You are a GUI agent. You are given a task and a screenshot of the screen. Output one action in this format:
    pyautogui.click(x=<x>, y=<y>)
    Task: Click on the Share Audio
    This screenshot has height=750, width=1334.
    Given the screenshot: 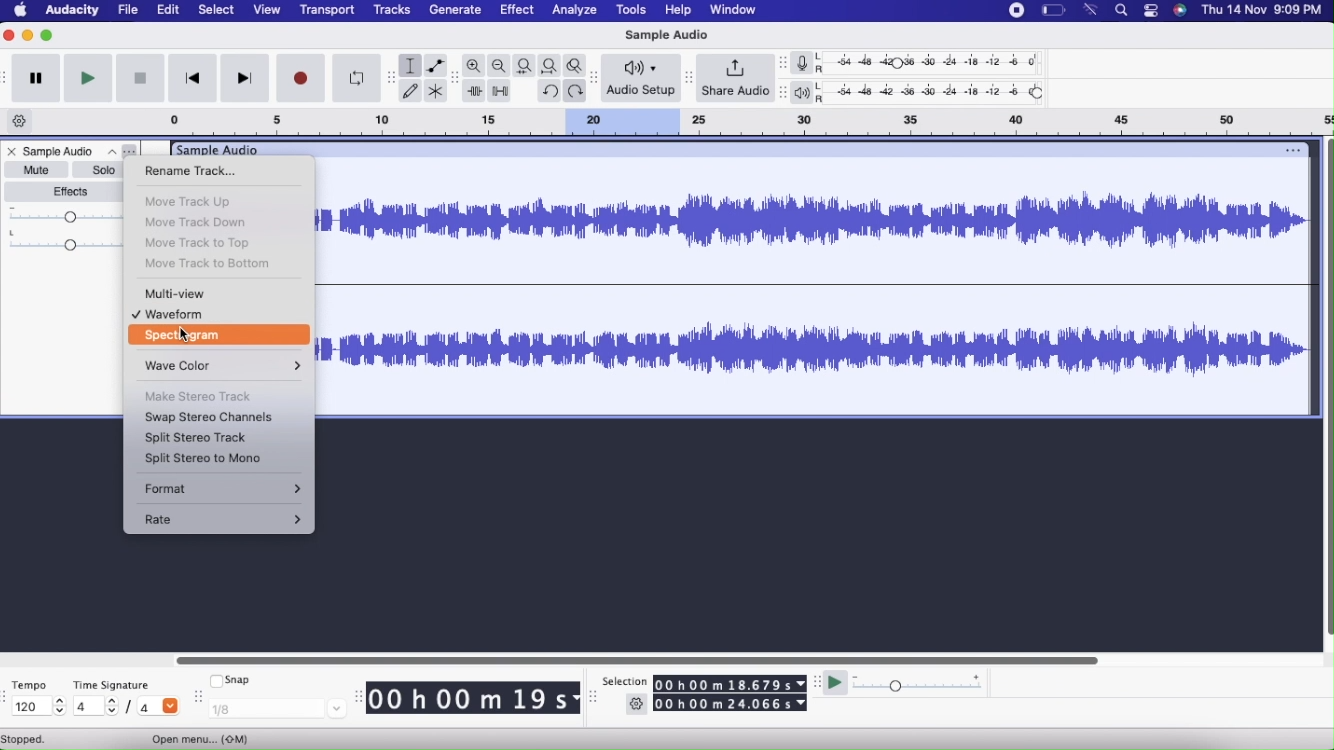 What is the action you would take?
    pyautogui.click(x=737, y=77)
    